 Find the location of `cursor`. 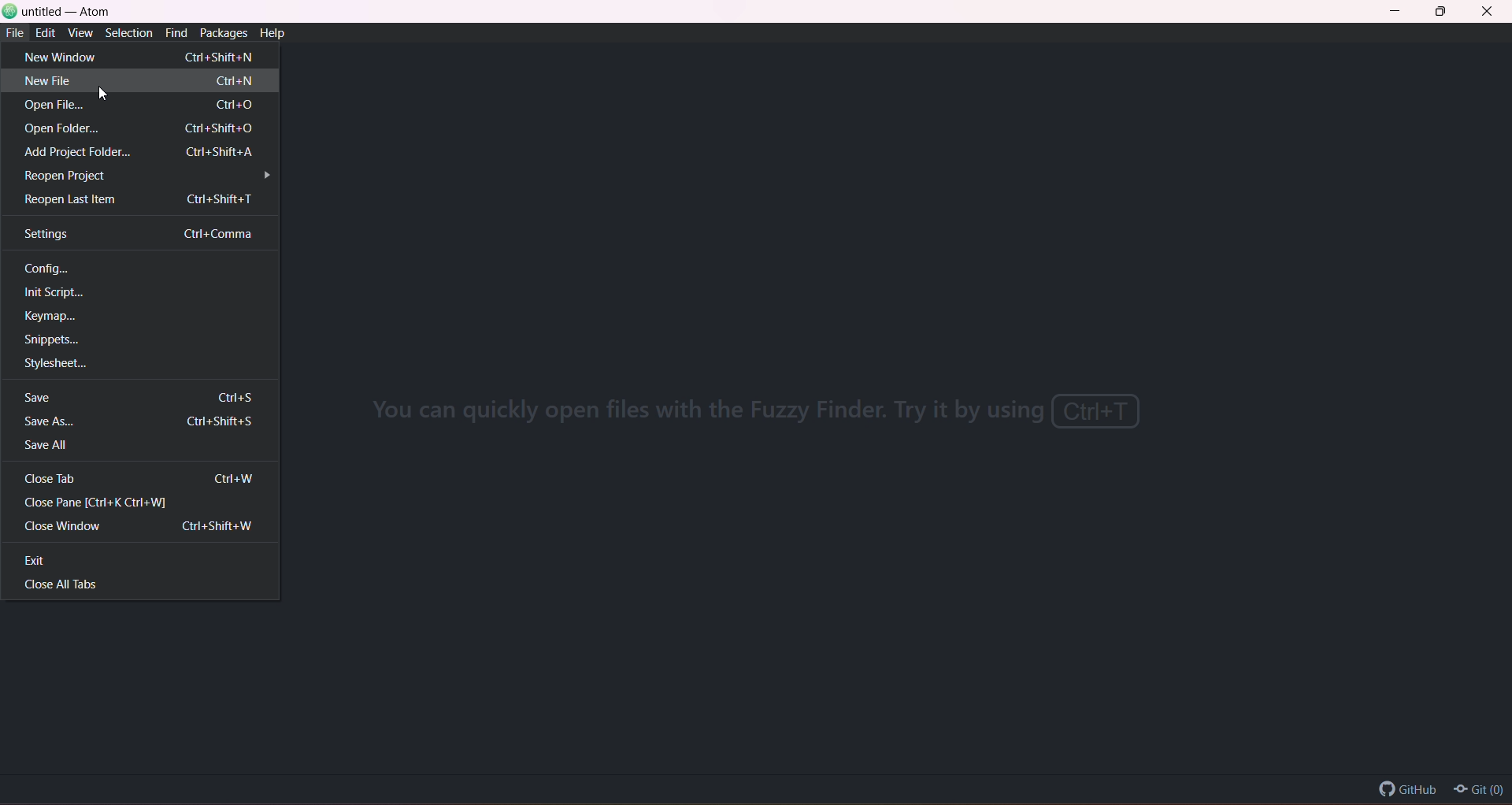

cursor is located at coordinates (106, 94).